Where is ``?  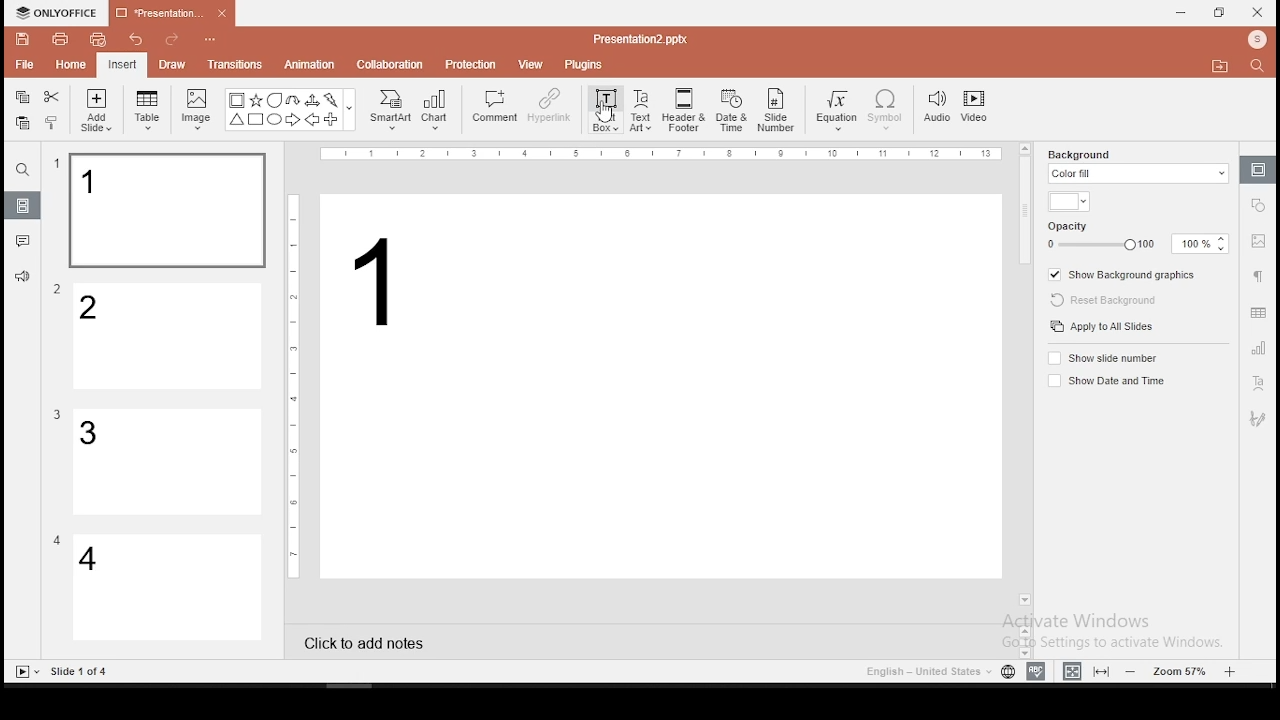
 is located at coordinates (1253, 418).